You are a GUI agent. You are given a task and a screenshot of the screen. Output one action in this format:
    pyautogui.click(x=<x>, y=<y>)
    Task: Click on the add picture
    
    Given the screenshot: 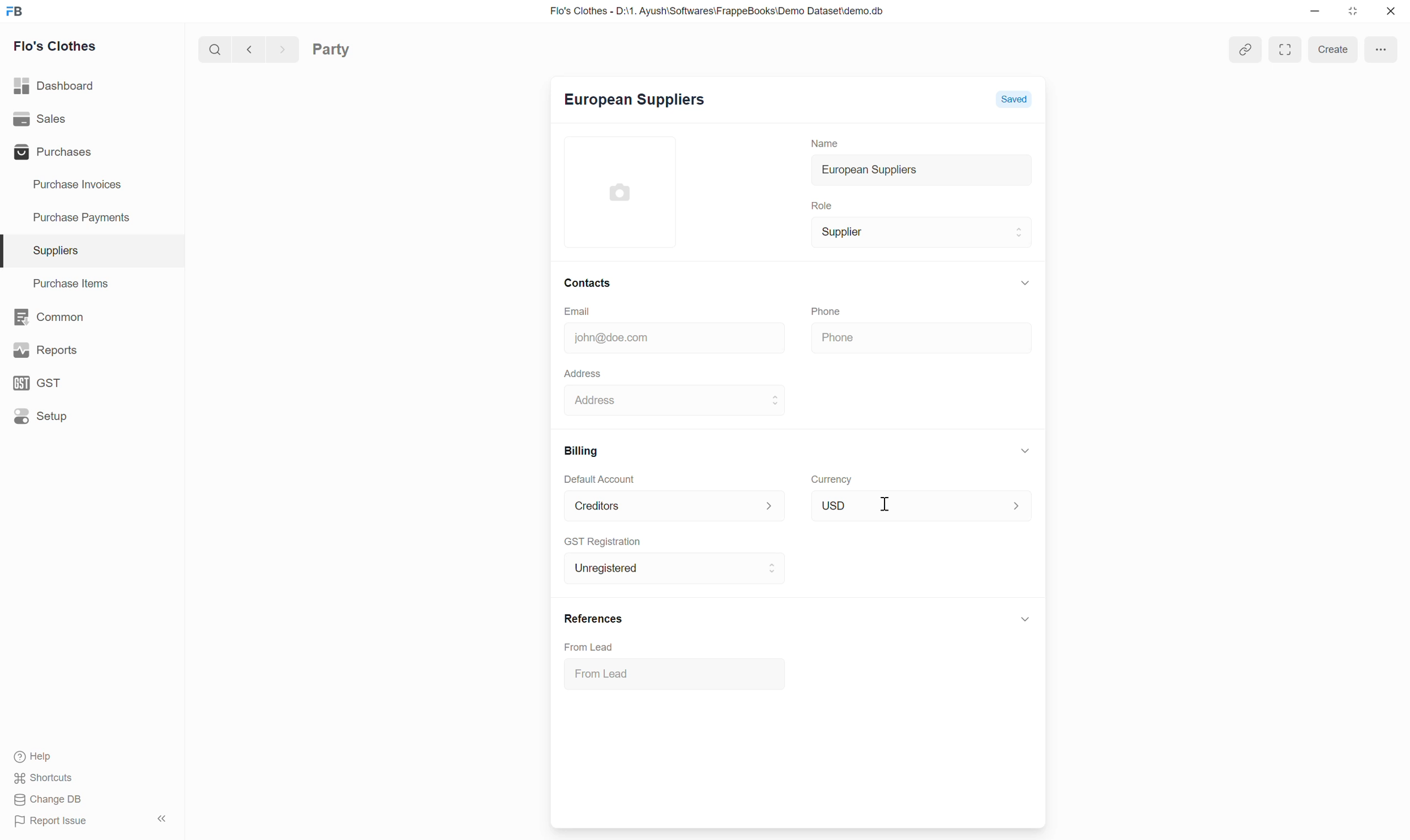 What is the action you would take?
    pyautogui.click(x=630, y=190)
    